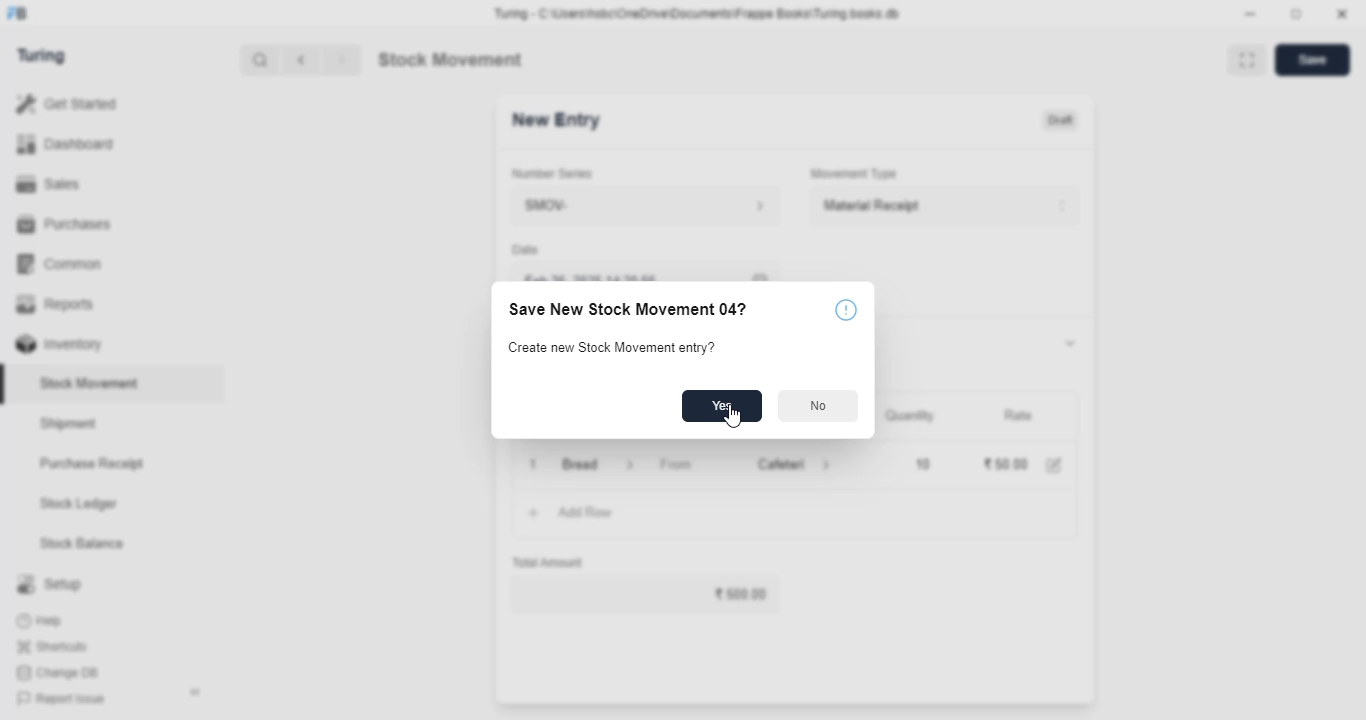 The image size is (1366, 720). I want to click on calendar, so click(758, 272).